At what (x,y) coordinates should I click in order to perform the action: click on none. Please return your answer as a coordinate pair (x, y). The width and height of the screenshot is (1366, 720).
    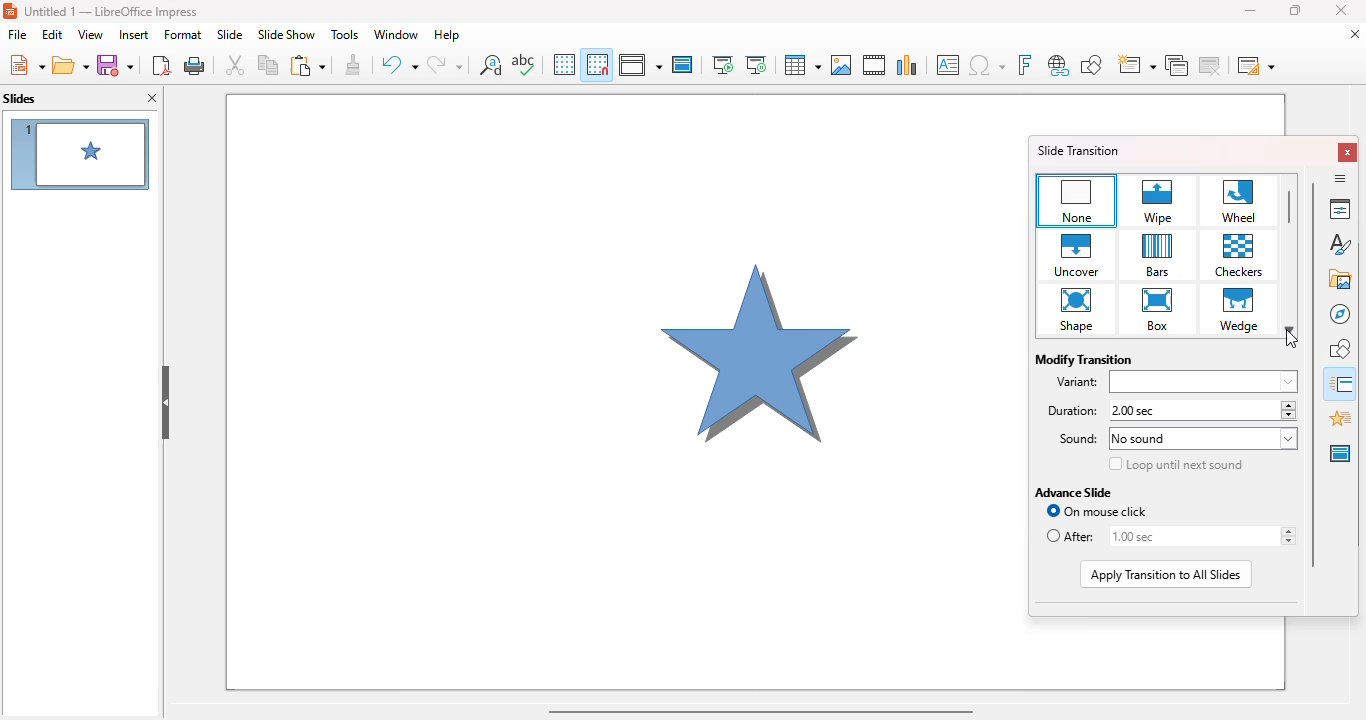
    Looking at the image, I should click on (1077, 200).